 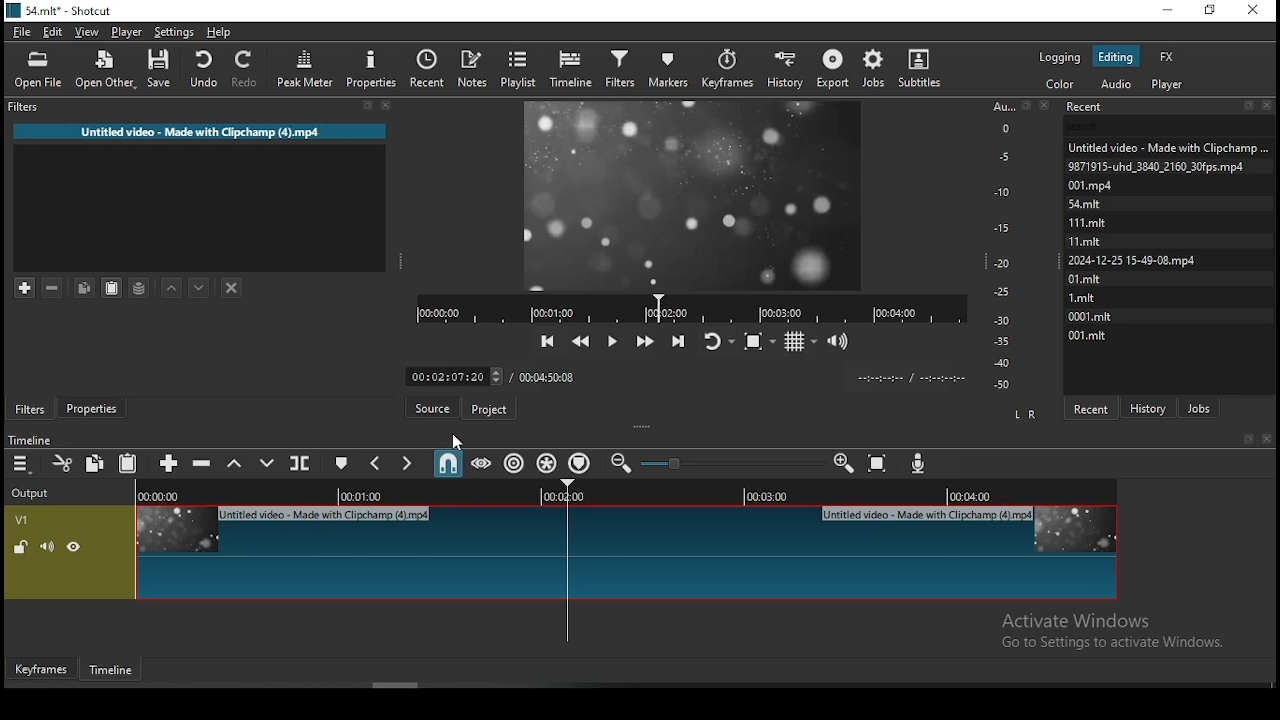 What do you see at coordinates (1118, 56) in the screenshot?
I see `editing` at bounding box center [1118, 56].